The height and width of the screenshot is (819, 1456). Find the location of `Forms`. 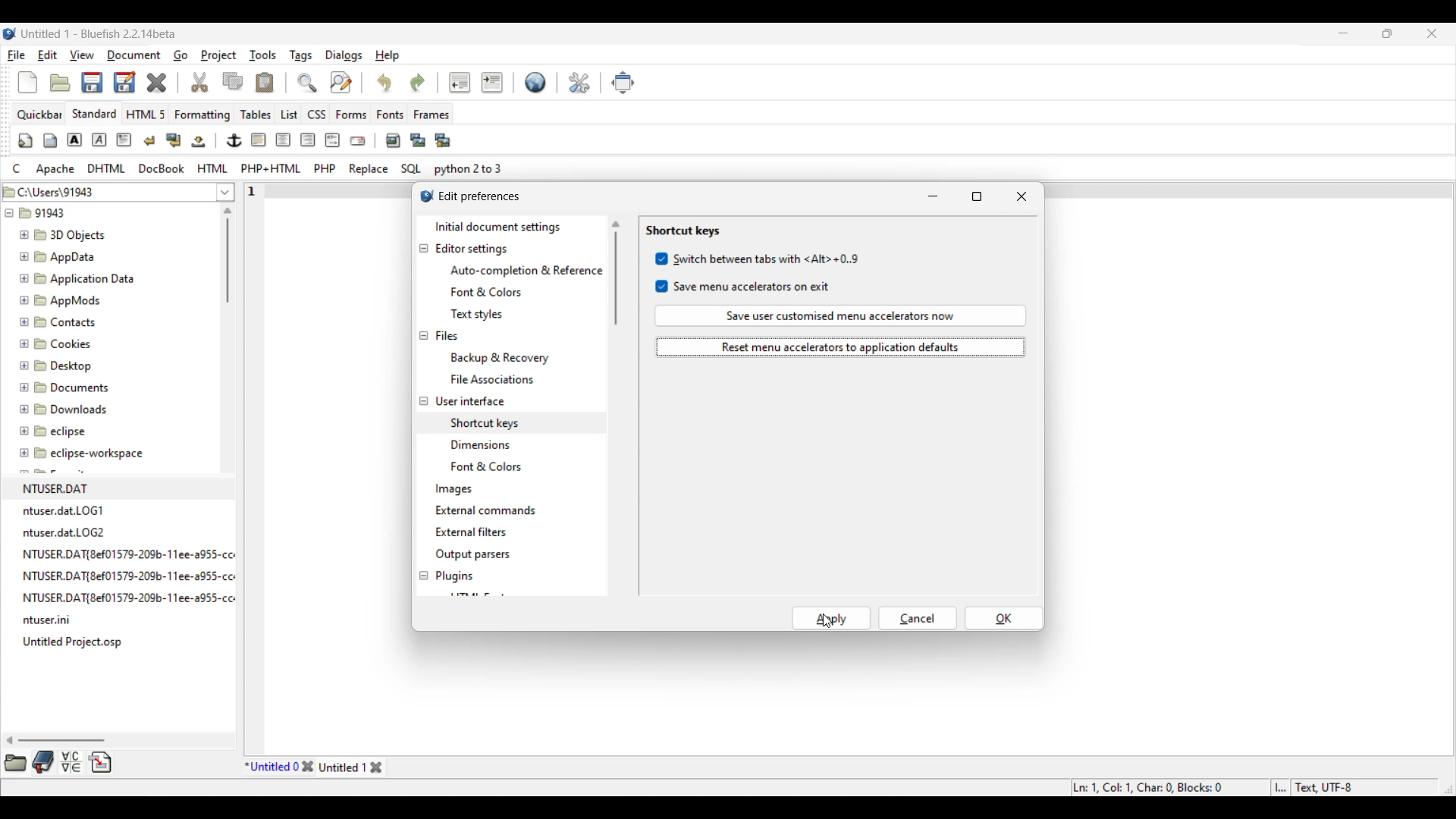

Forms is located at coordinates (351, 115).